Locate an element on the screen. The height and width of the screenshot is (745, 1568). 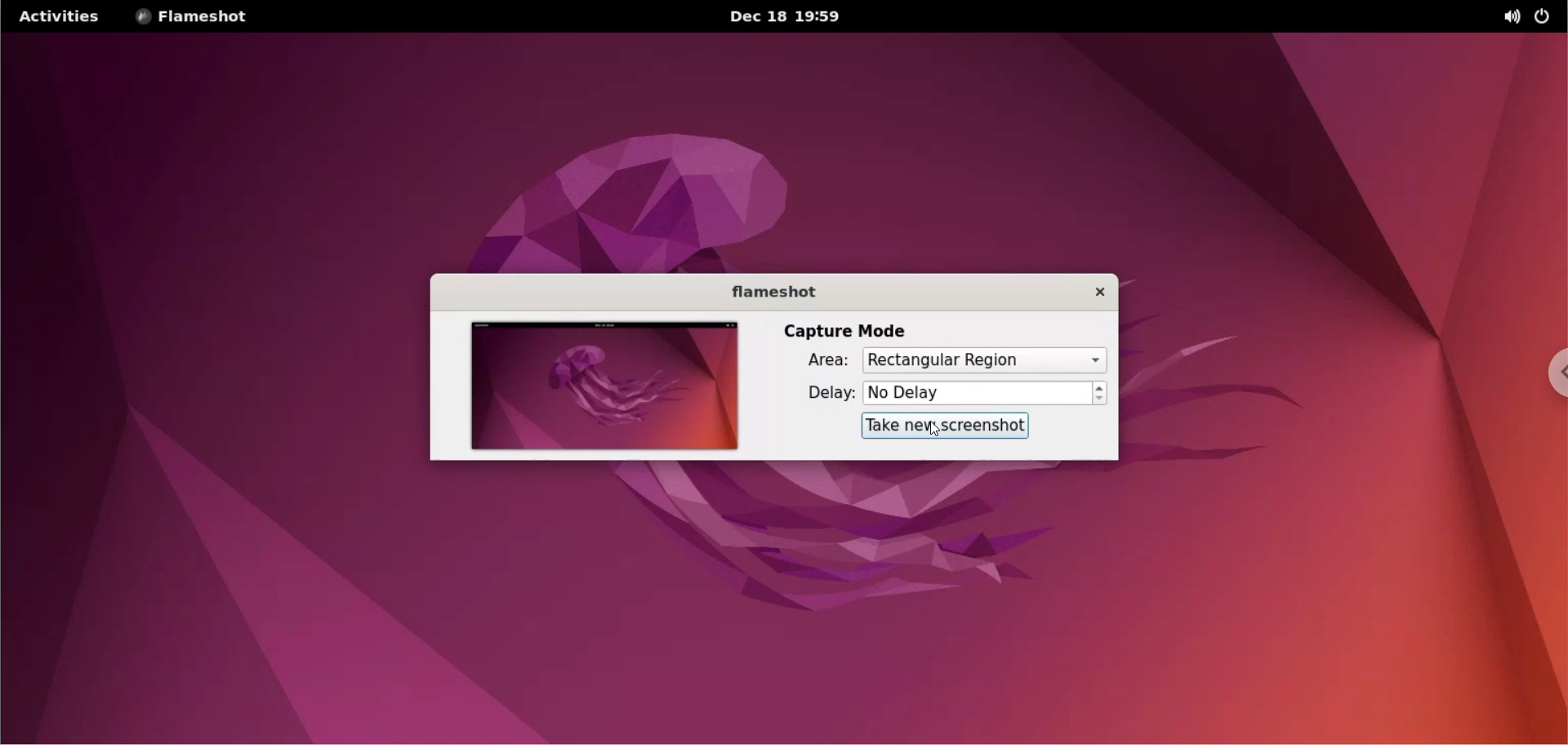
delay label is located at coordinates (819, 395).